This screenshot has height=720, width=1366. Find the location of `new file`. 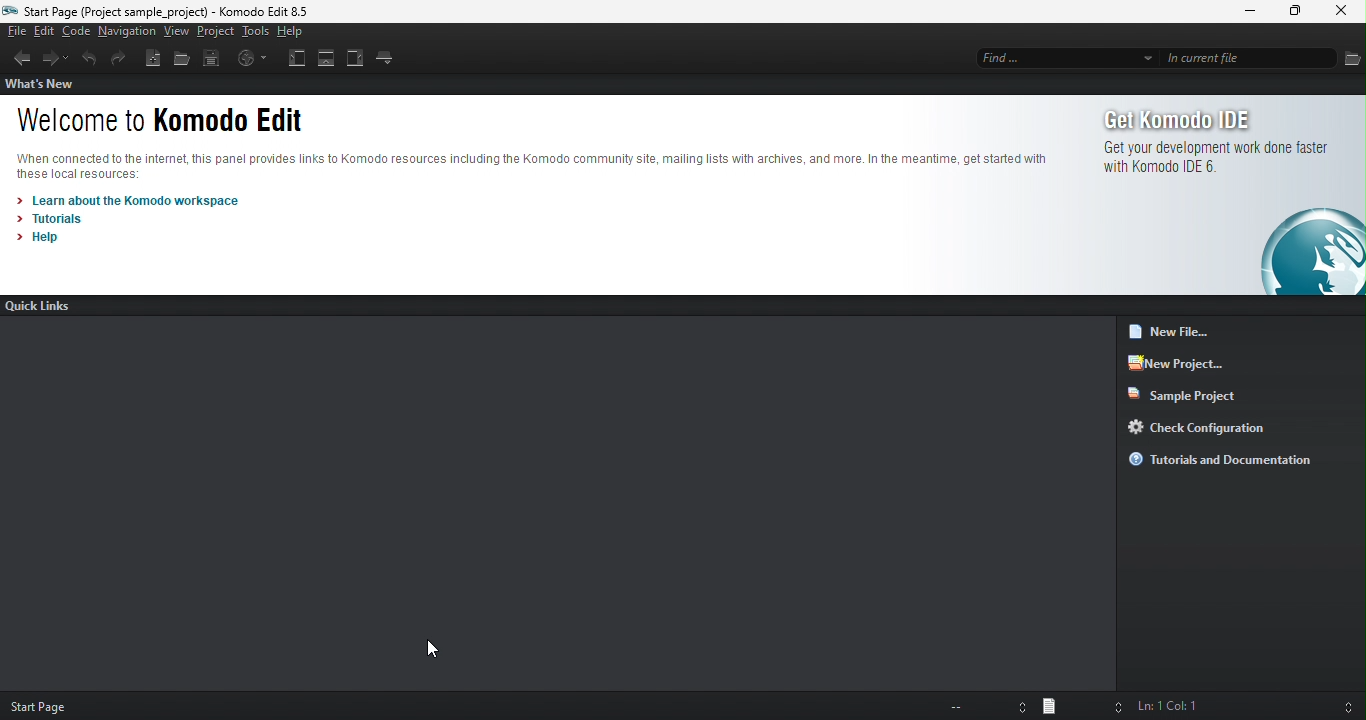

new file is located at coordinates (1169, 330).